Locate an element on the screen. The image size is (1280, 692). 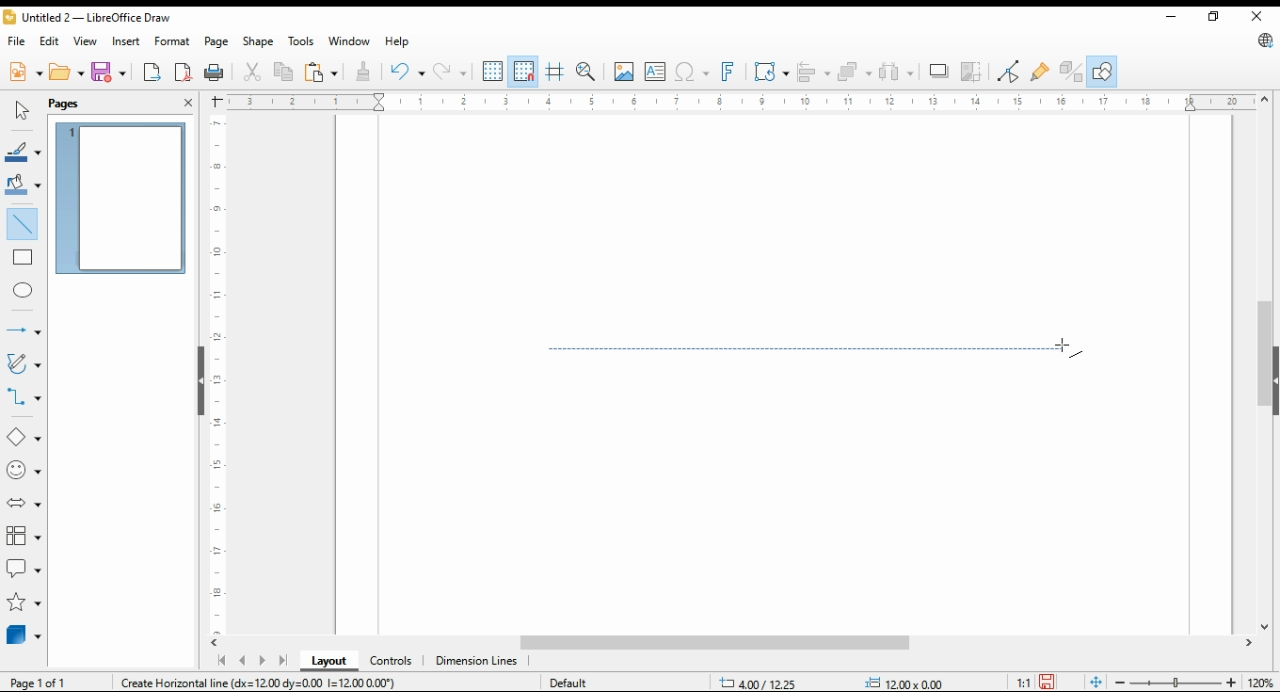
show draw functions is located at coordinates (1100, 72).